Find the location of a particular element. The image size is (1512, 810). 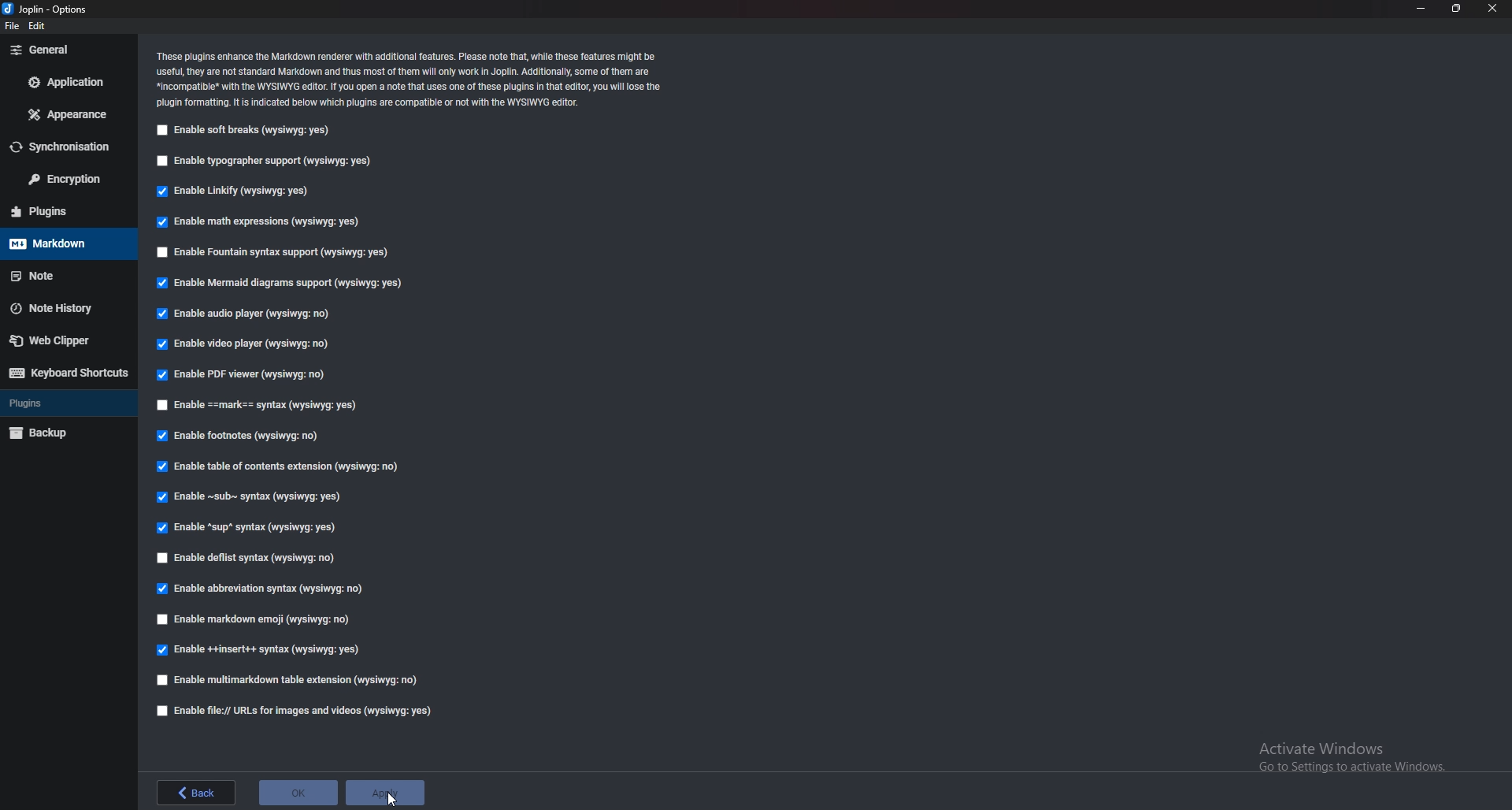

Backup is located at coordinates (66, 433).